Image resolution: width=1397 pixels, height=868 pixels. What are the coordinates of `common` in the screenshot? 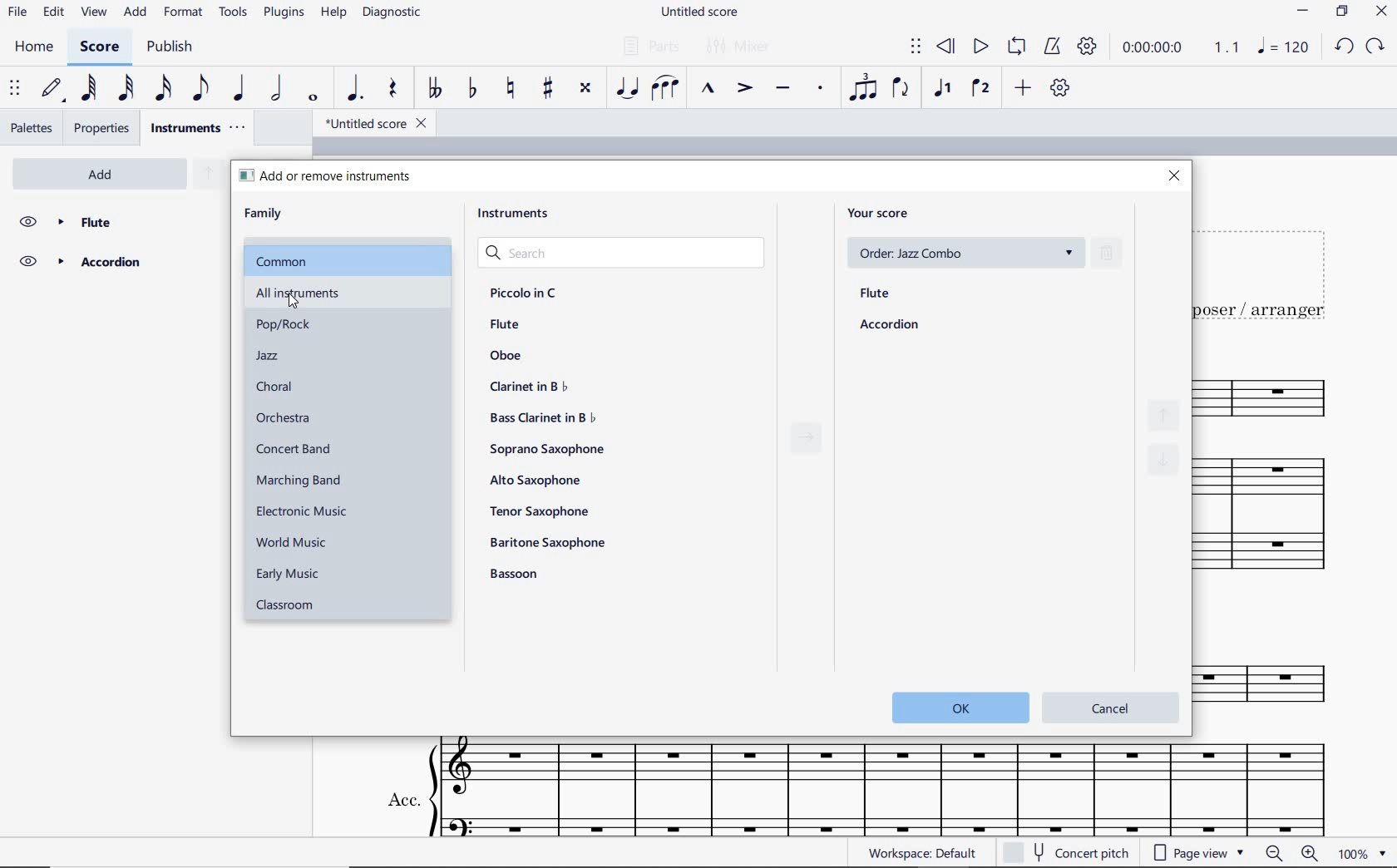 It's located at (349, 257).